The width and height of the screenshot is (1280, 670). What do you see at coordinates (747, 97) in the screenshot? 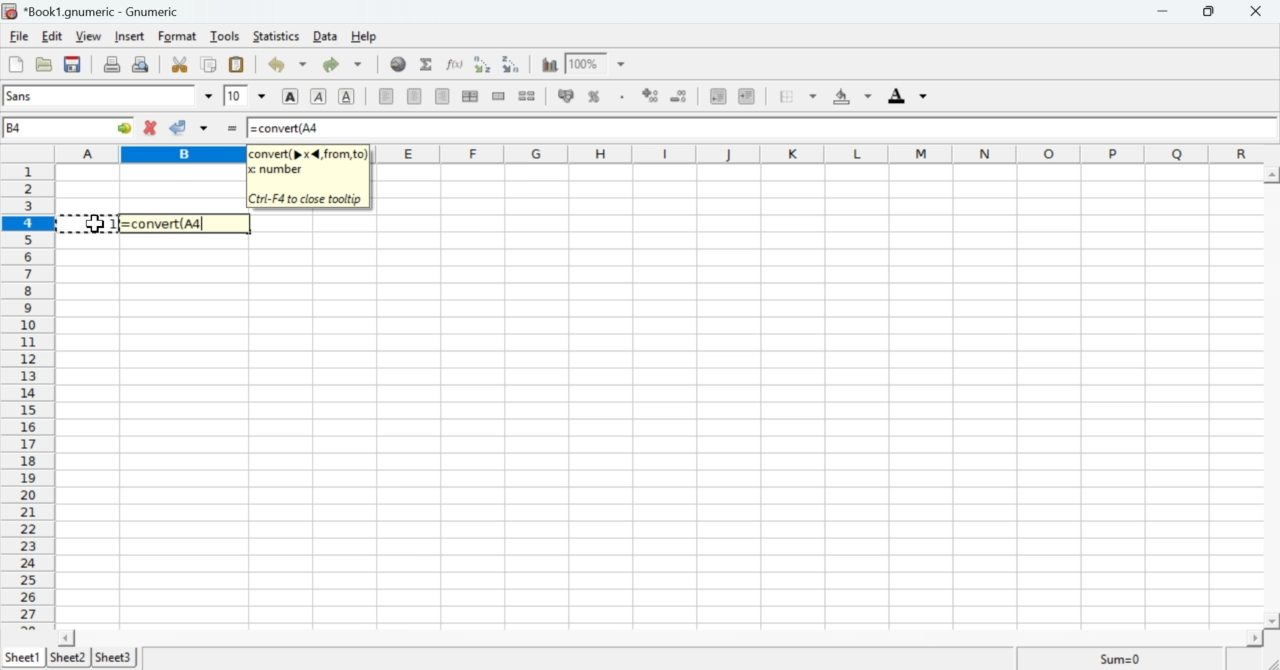
I see `Increase indent, align to the left.` at bounding box center [747, 97].